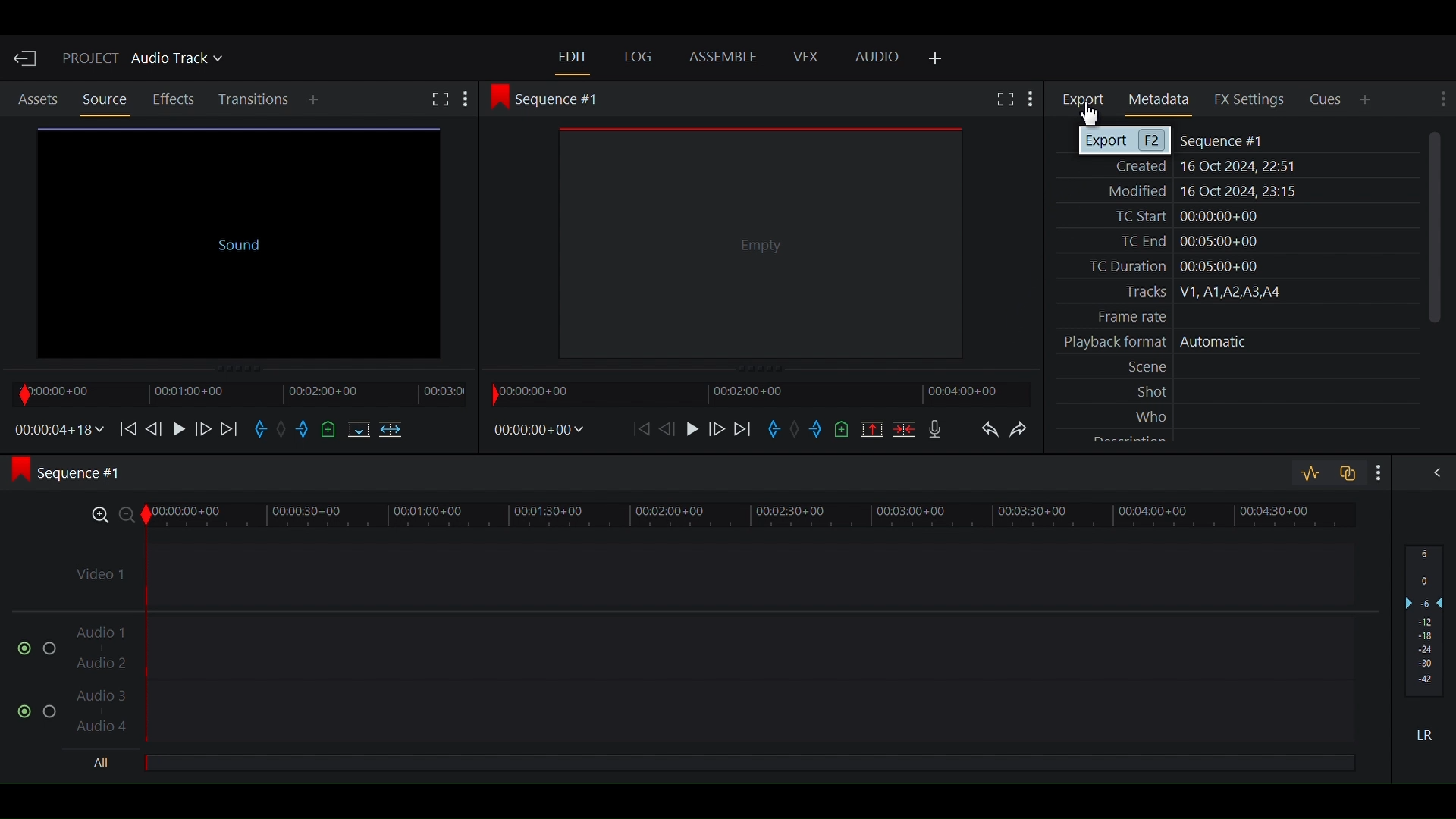 The image size is (1456, 819). I want to click on TC Start 00:00:00+00, so click(1180, 216).